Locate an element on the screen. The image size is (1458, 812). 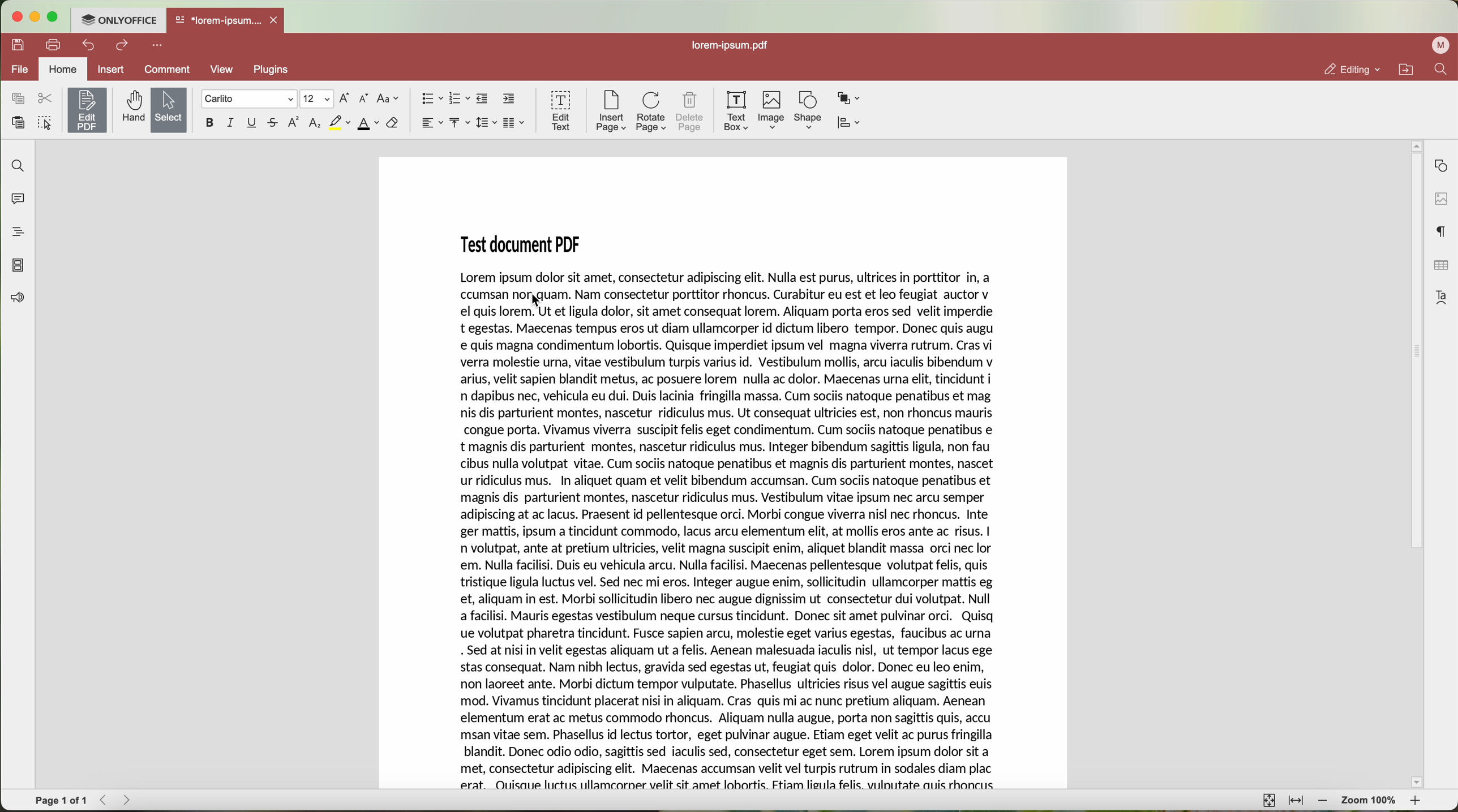
View is located at coordinates (225, 70).